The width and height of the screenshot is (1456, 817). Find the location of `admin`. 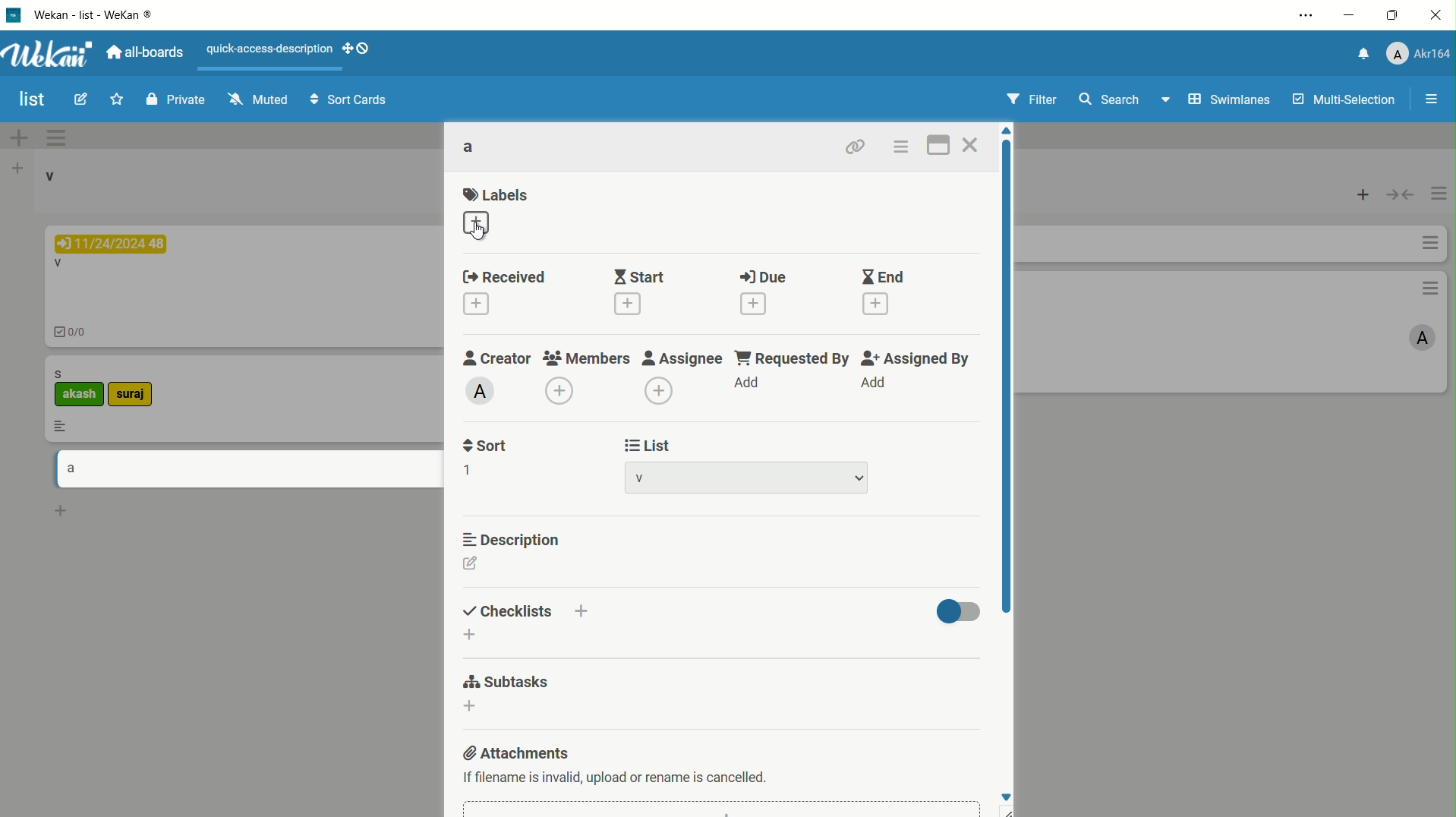

admin is located at coordinates (481, 391).